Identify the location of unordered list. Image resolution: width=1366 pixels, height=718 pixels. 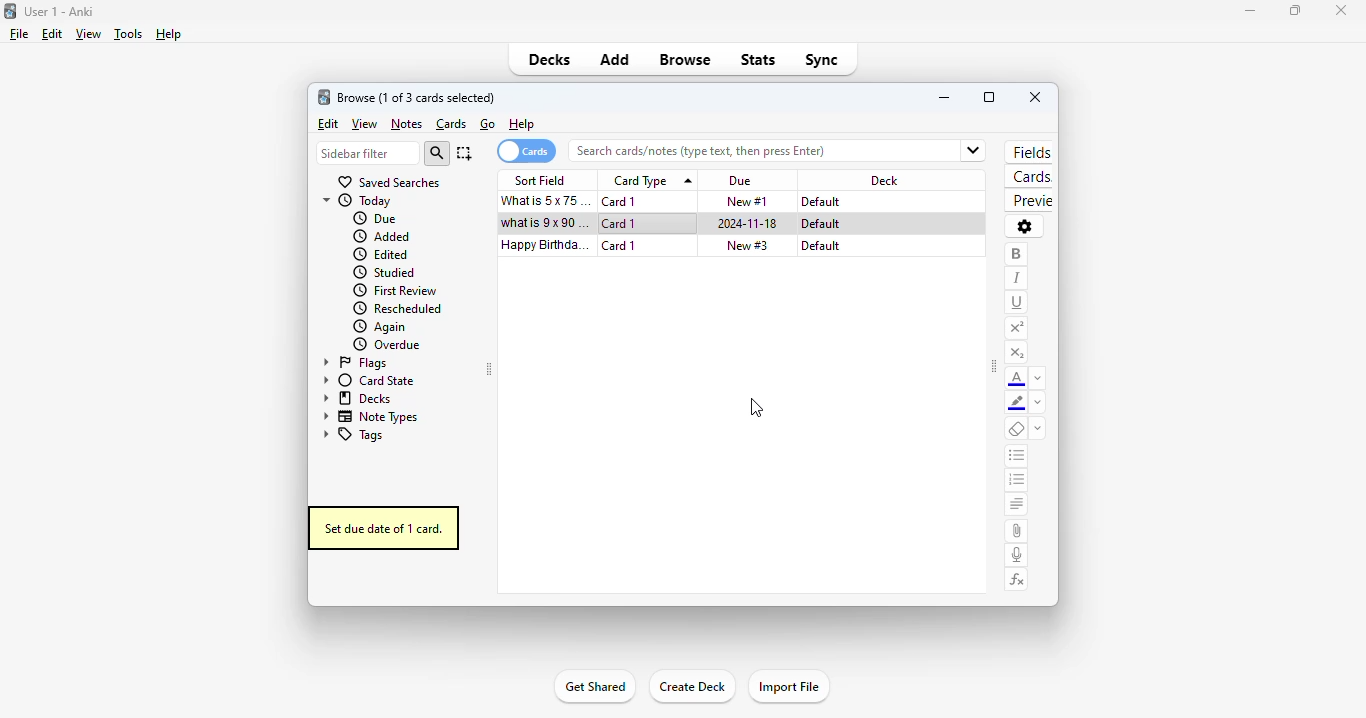
(1018, 455).